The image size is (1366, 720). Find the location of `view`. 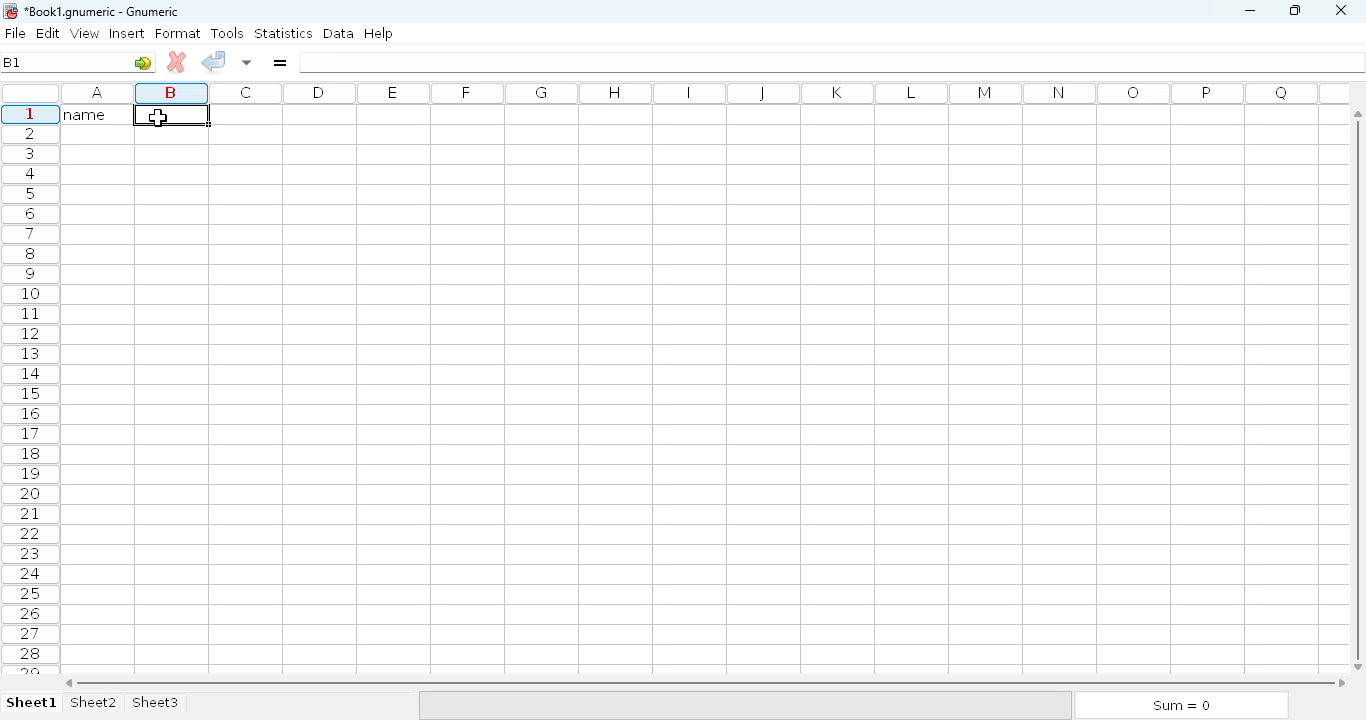

view is located at coordinates (85, 33).